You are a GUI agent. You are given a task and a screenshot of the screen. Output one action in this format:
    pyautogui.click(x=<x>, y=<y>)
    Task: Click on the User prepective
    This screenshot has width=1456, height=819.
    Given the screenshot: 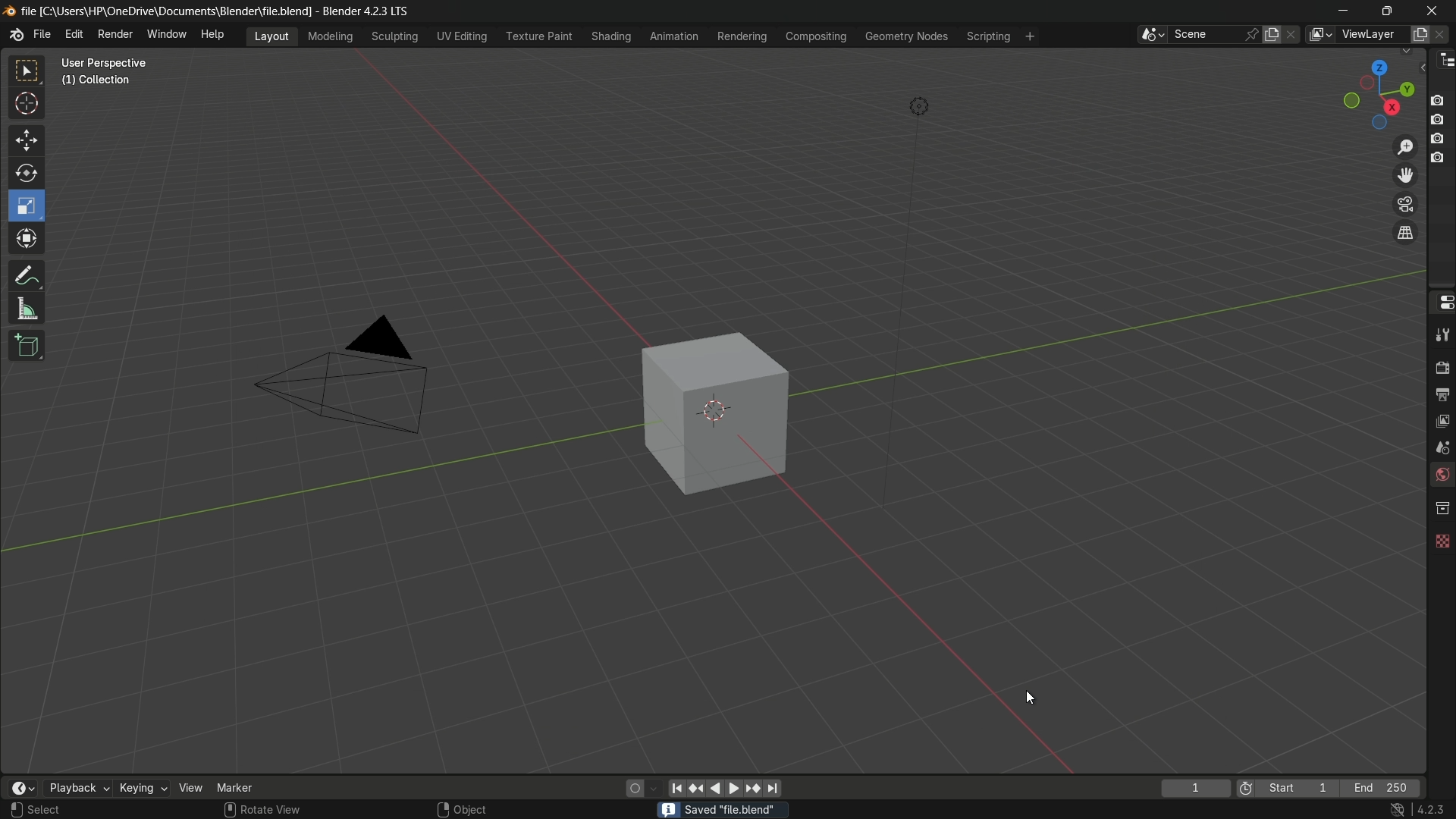 What is the action you would take?
    pyautogui.click(x=111, y=63)
    